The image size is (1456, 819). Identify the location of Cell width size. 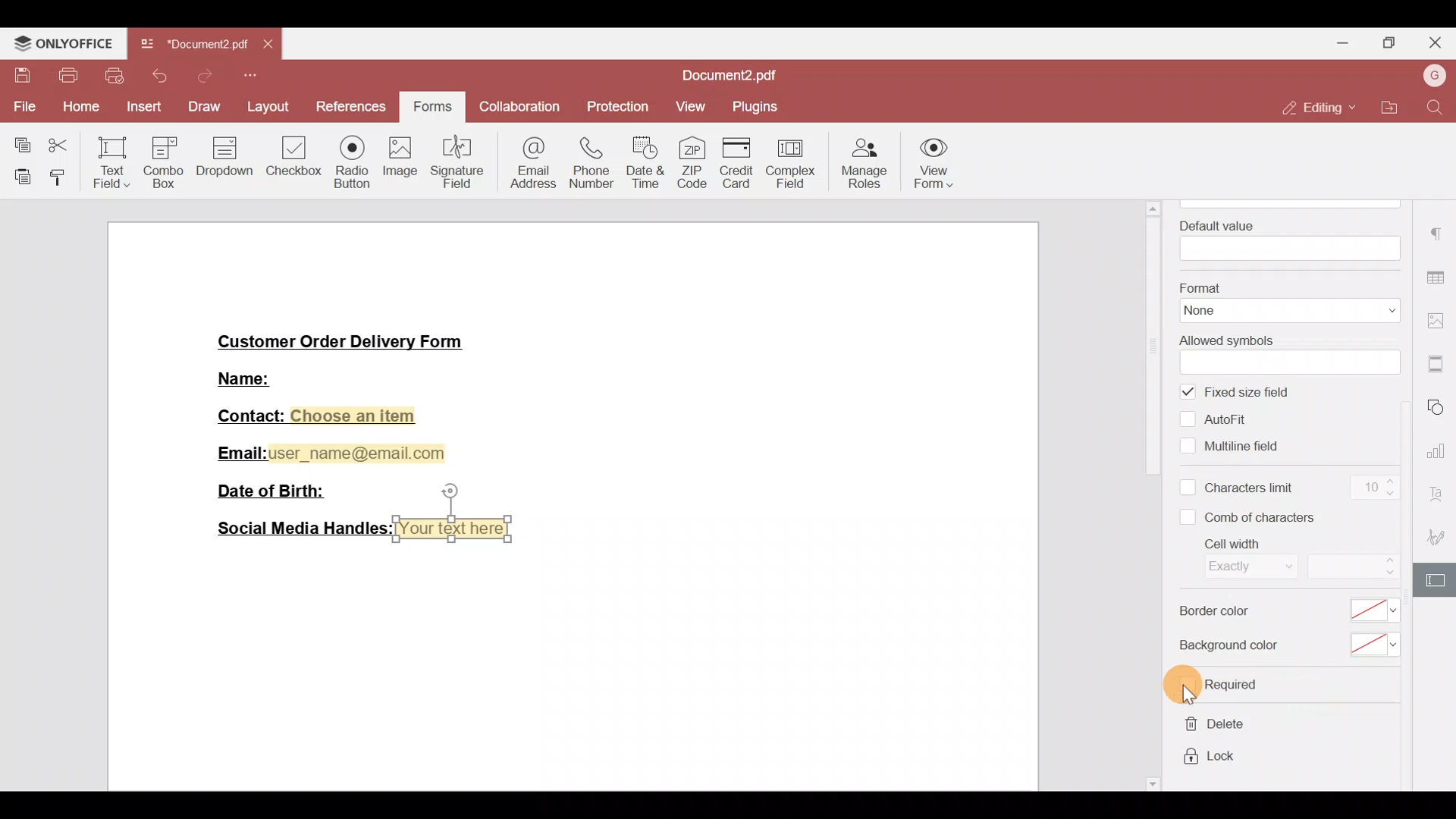
(1351, 567).